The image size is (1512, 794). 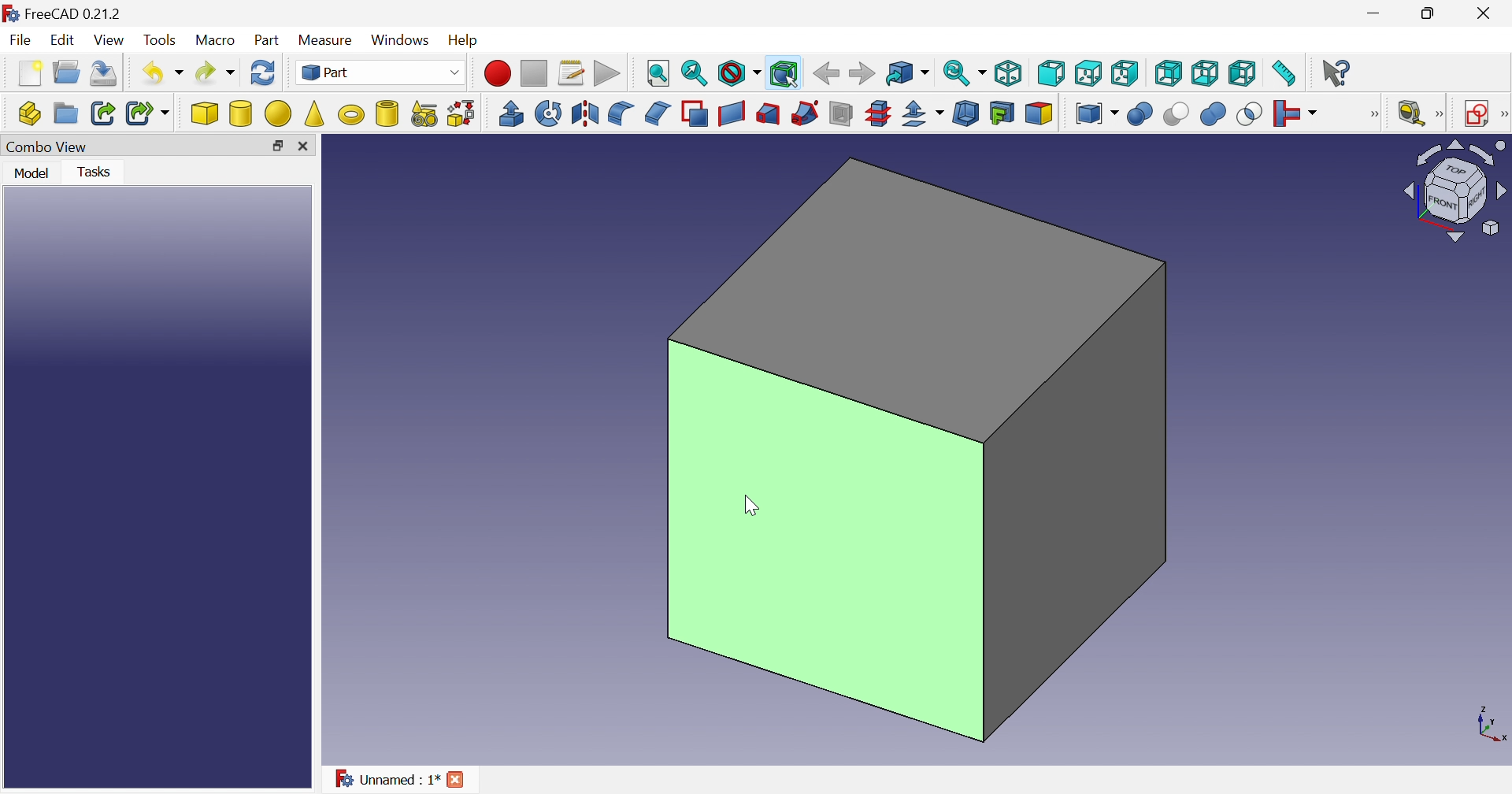 What do you see at coordinates (165, 72) in the screenshot?
I see `Undo` at bounding box center [165, 72].